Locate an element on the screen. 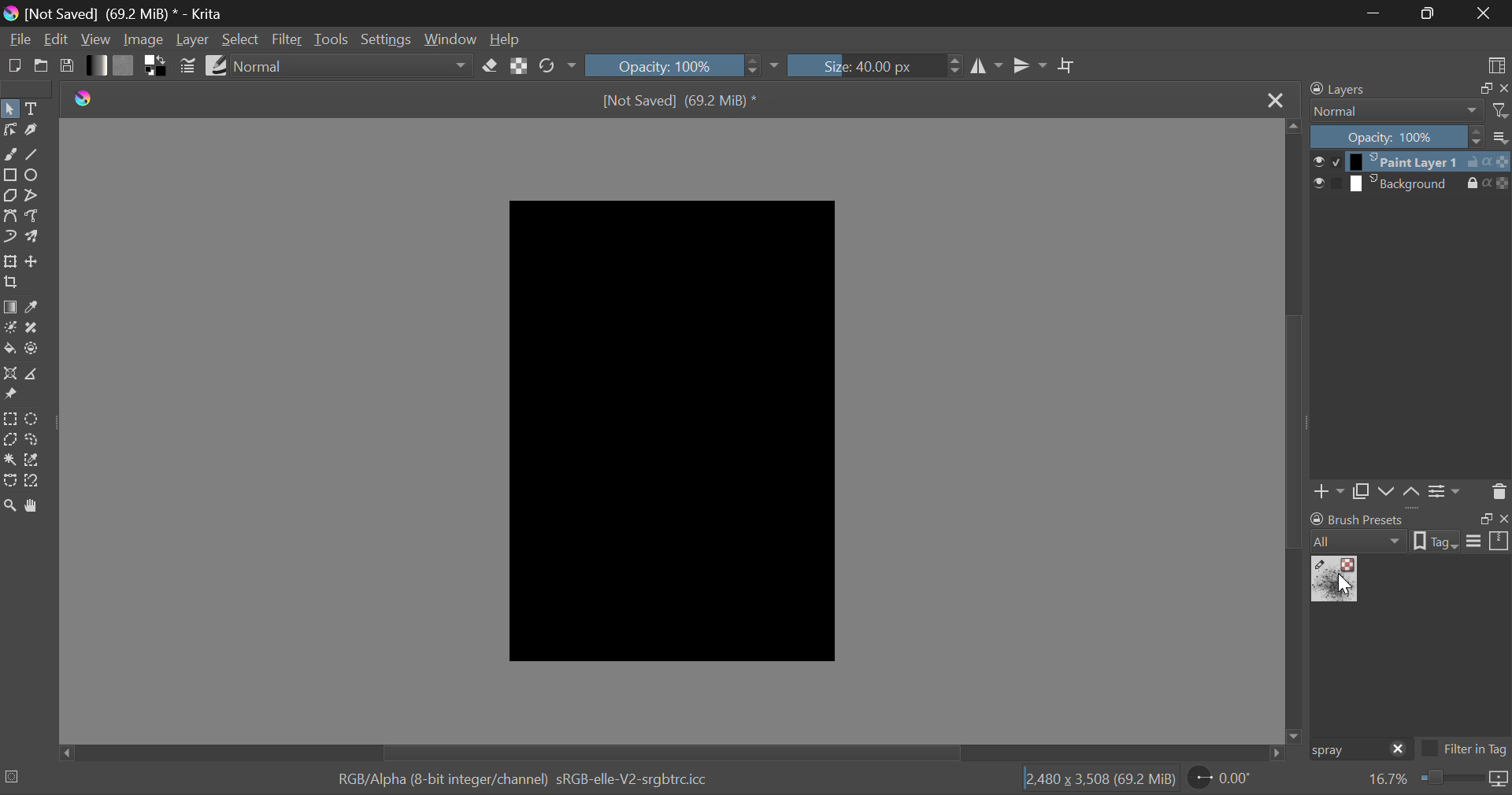  Dynamic Brush is located at coordinates (9, 235).